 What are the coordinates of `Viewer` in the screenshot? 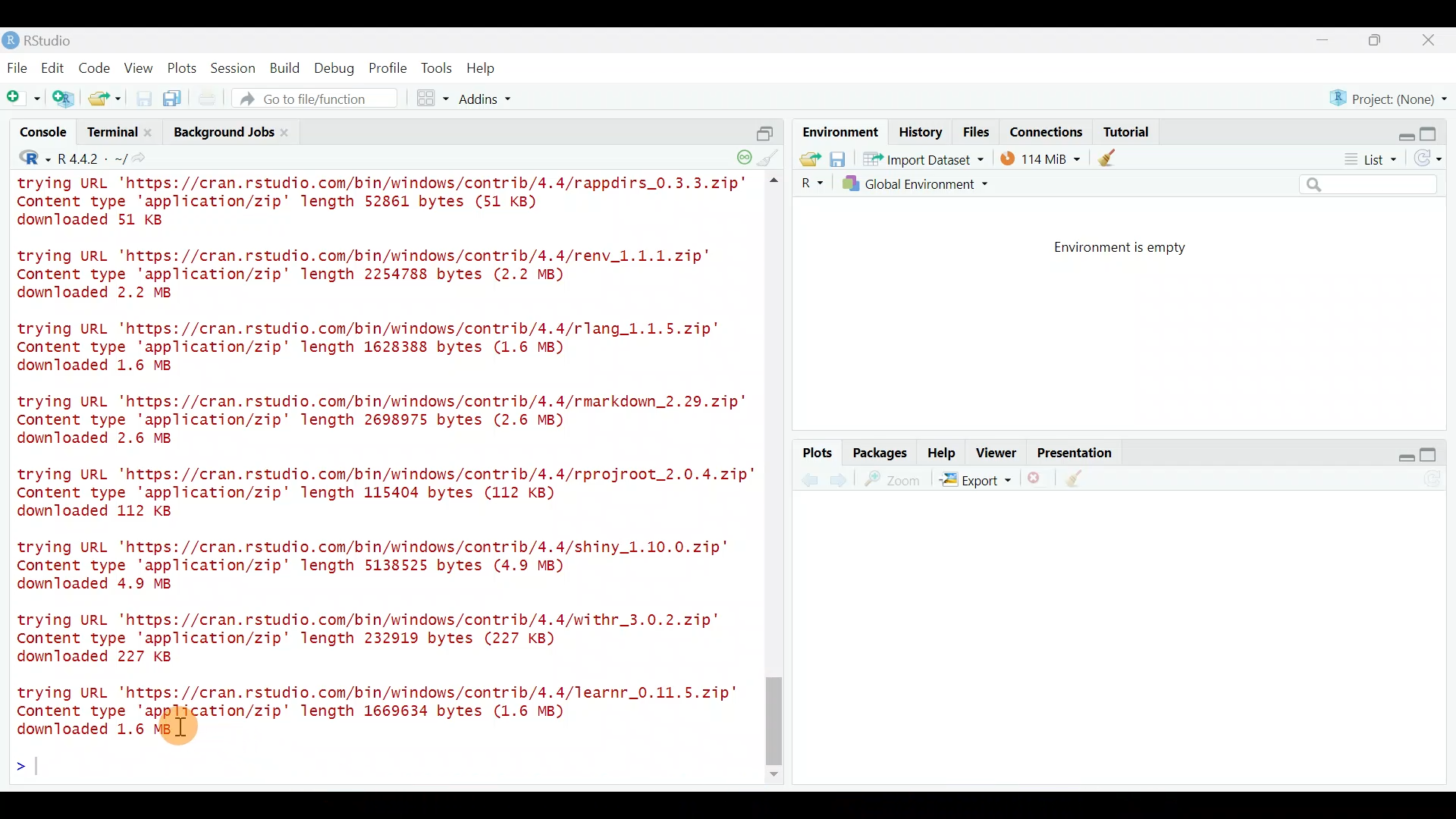 It's located at (996, 454).